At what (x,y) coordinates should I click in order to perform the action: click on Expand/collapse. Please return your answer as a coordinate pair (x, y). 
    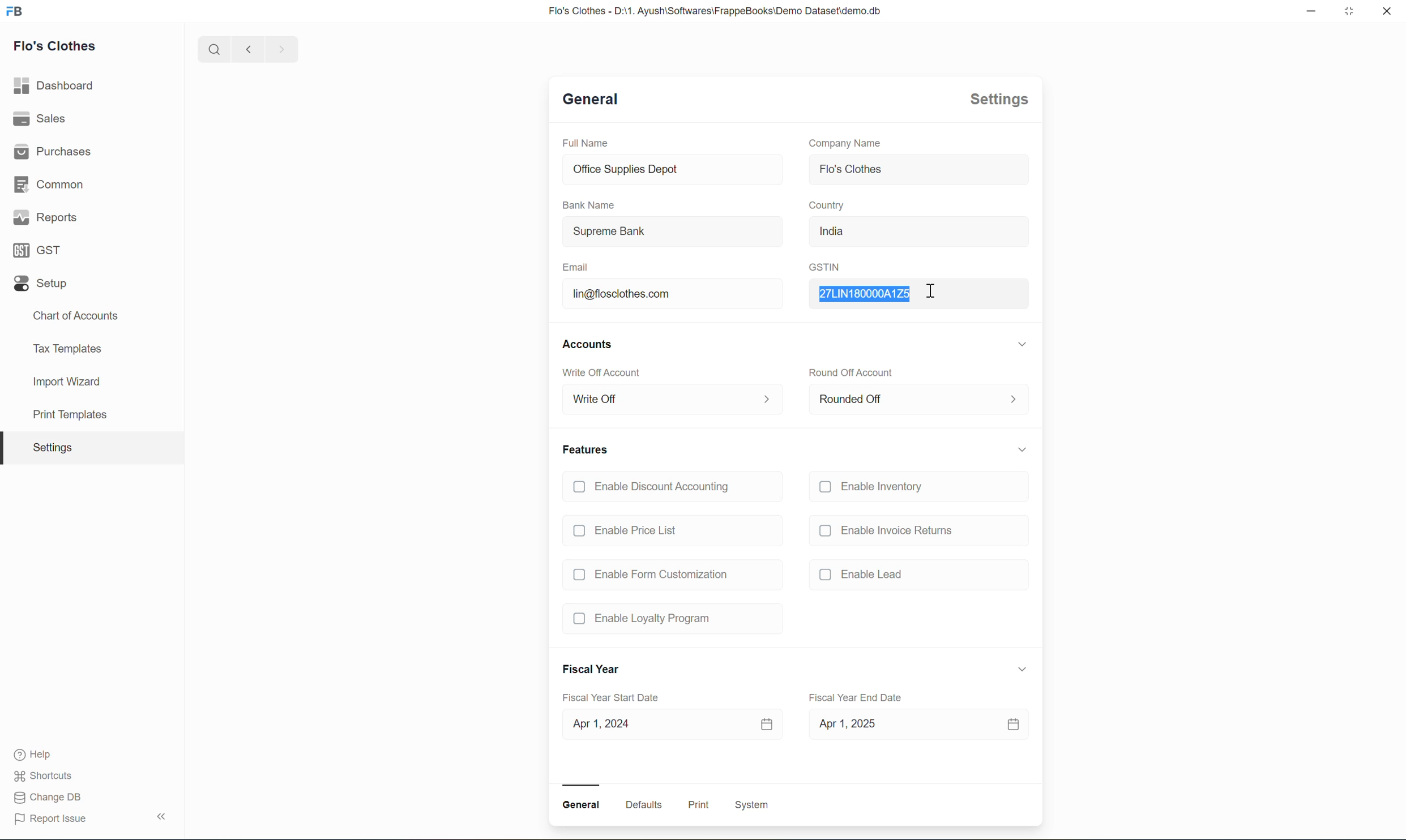
    Looking at the image, I should click on (1023, 449).